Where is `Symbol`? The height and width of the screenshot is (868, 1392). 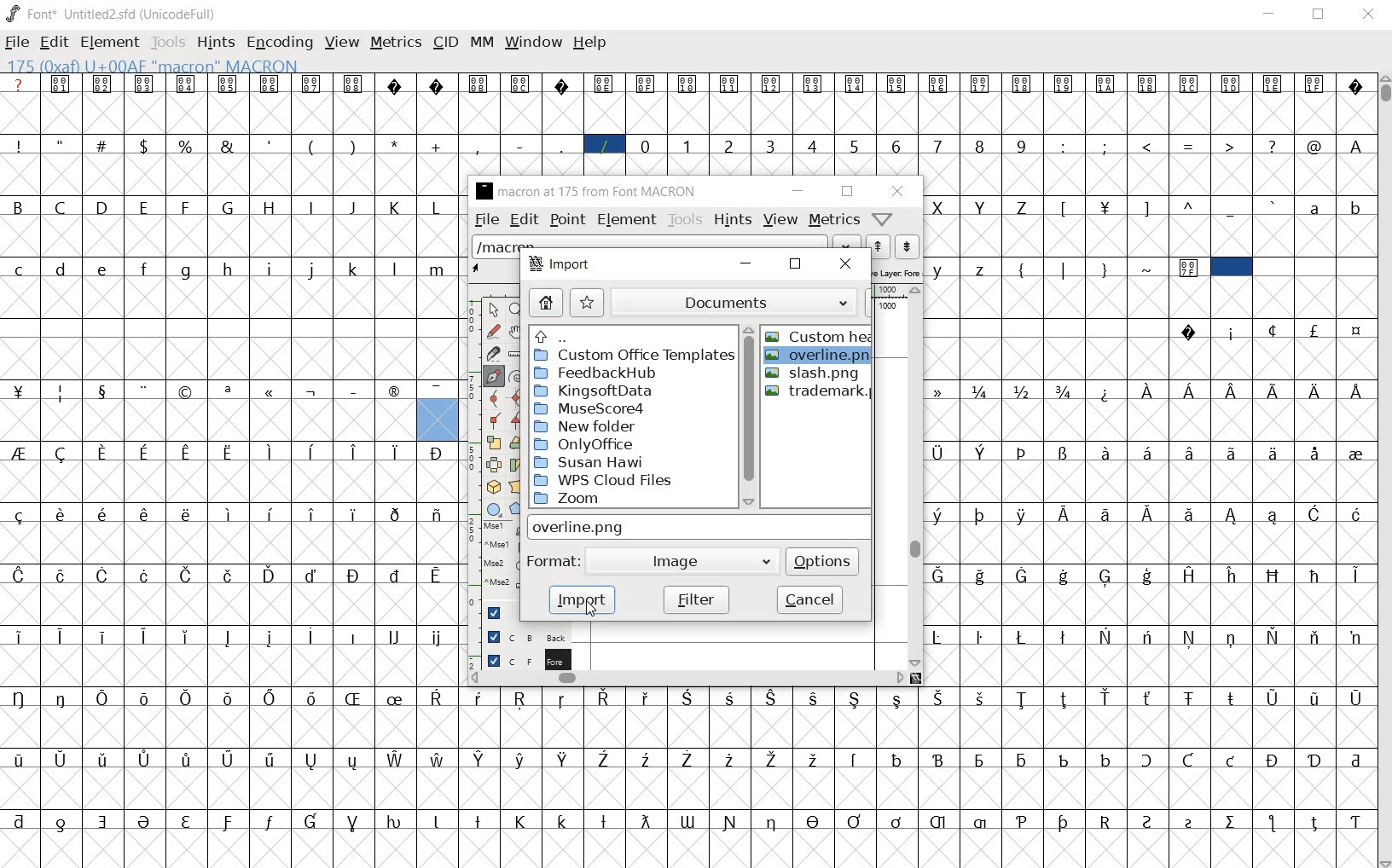
Symbol is located at coordinates (1356, 453).